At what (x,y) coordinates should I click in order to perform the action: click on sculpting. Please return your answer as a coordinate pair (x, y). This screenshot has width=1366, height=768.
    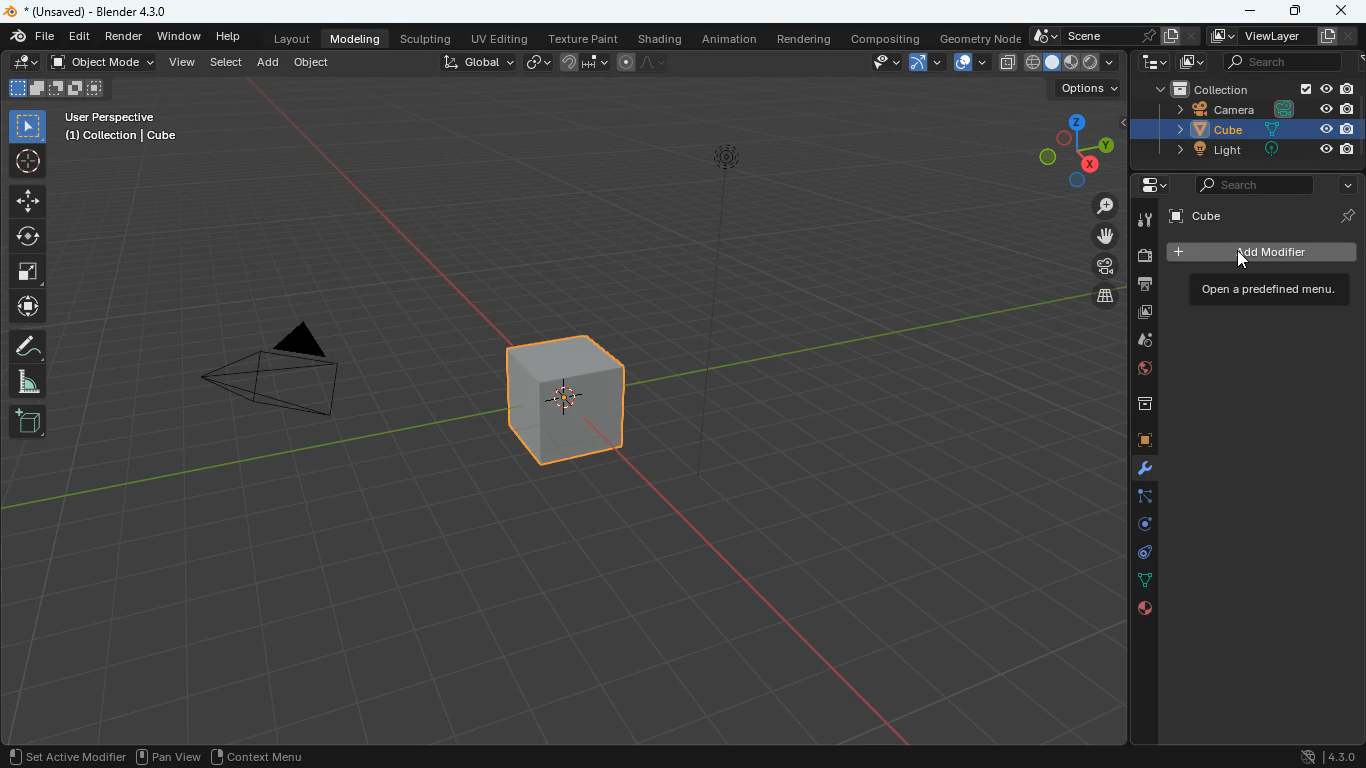
    Looking at the image, I should click on (429, 38).